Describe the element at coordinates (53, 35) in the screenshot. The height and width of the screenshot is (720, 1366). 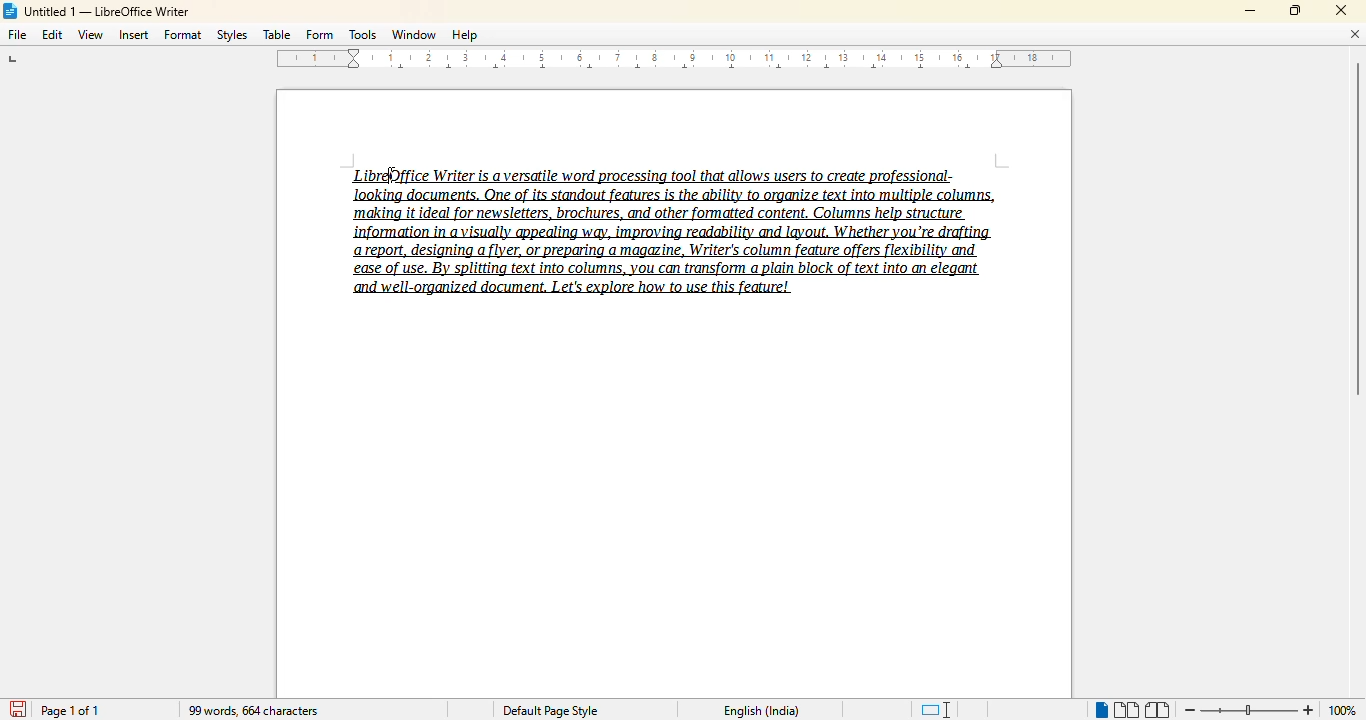
I see `edit` at that location.